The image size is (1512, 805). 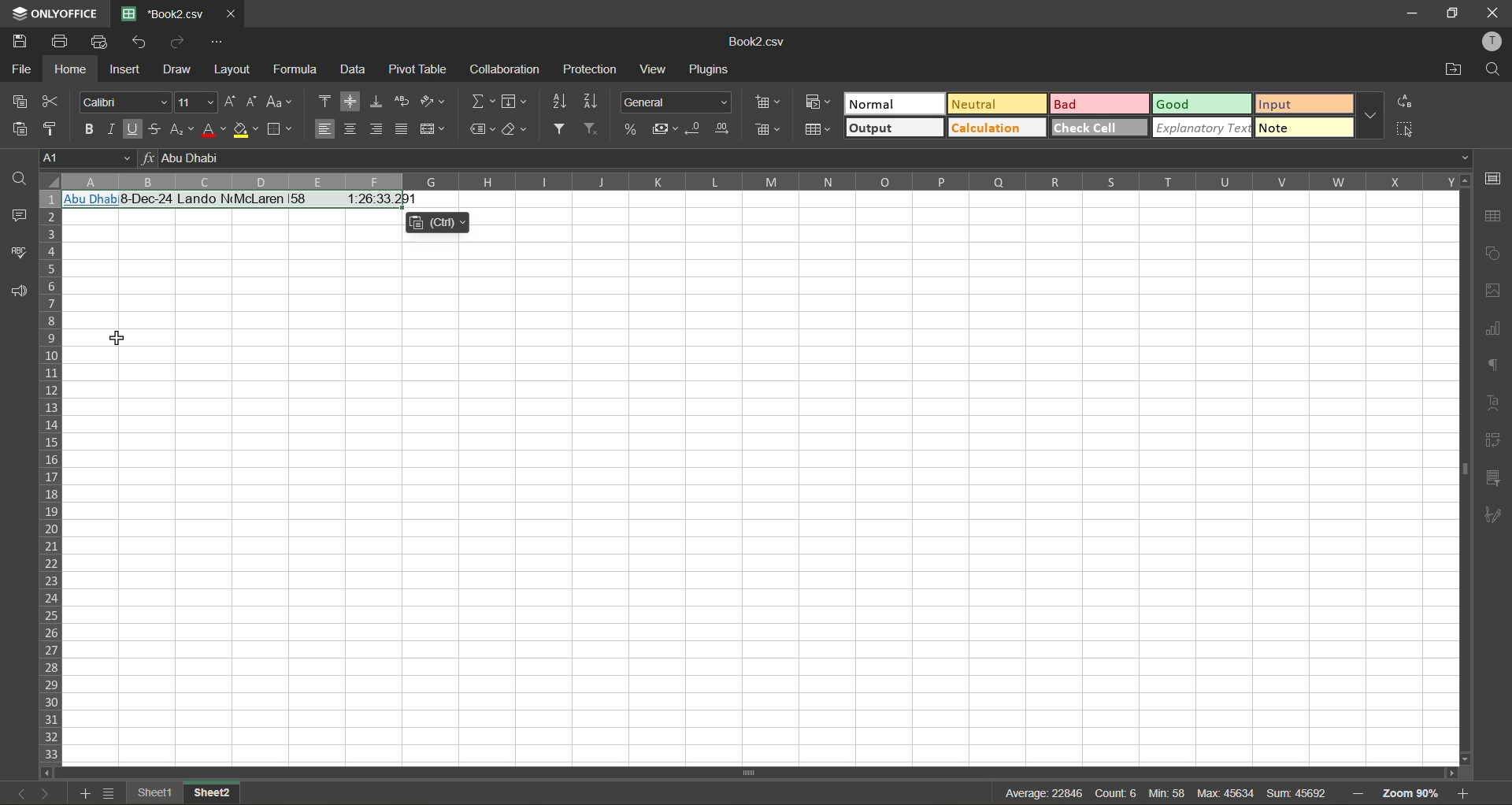 What do you see at coordinates (380, 129) in the screenshot?
I see `align right` at bounding box center [380, 129].